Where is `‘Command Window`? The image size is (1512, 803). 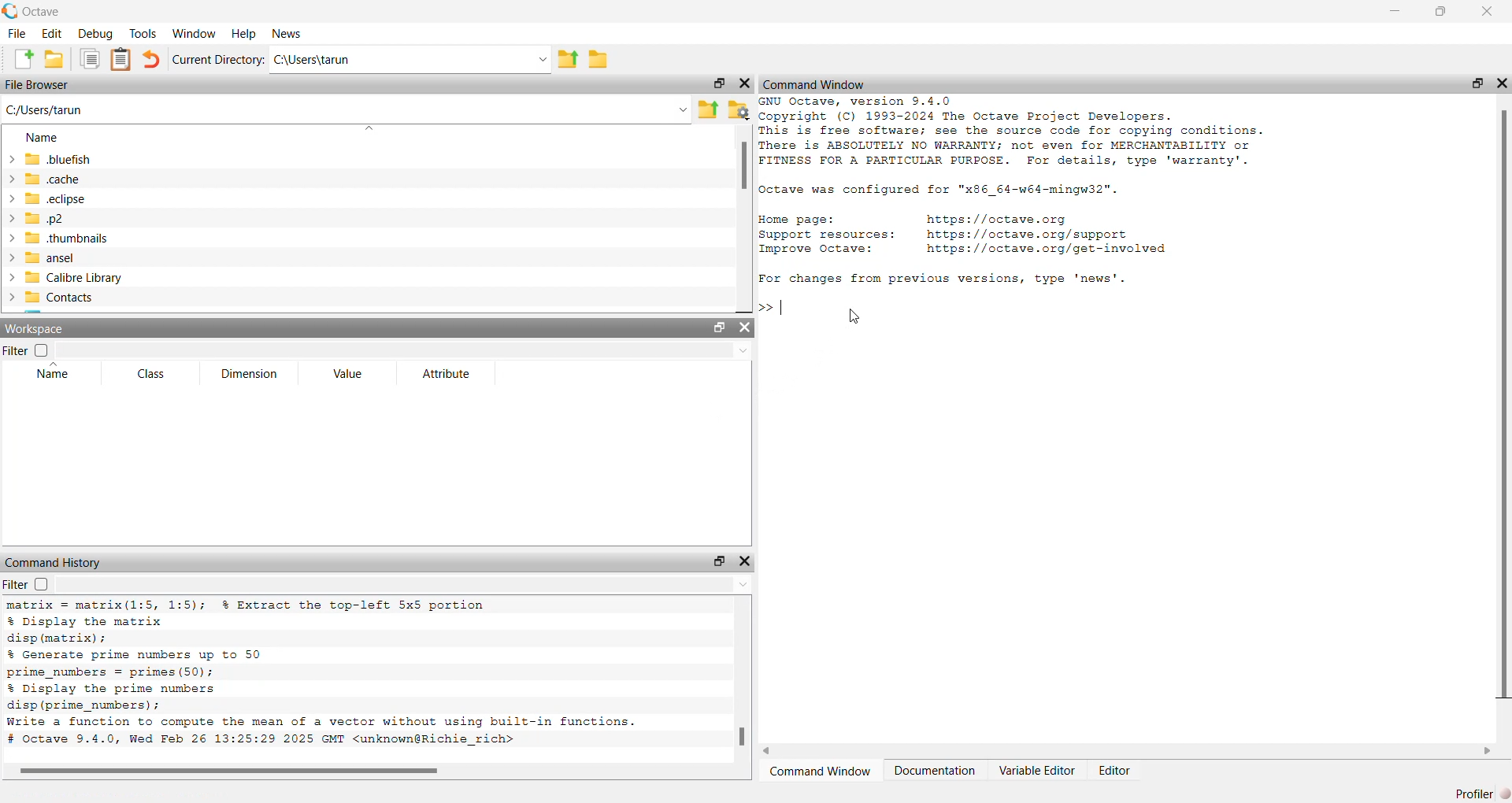
‘Command Window is located at coordinates (817, 83).